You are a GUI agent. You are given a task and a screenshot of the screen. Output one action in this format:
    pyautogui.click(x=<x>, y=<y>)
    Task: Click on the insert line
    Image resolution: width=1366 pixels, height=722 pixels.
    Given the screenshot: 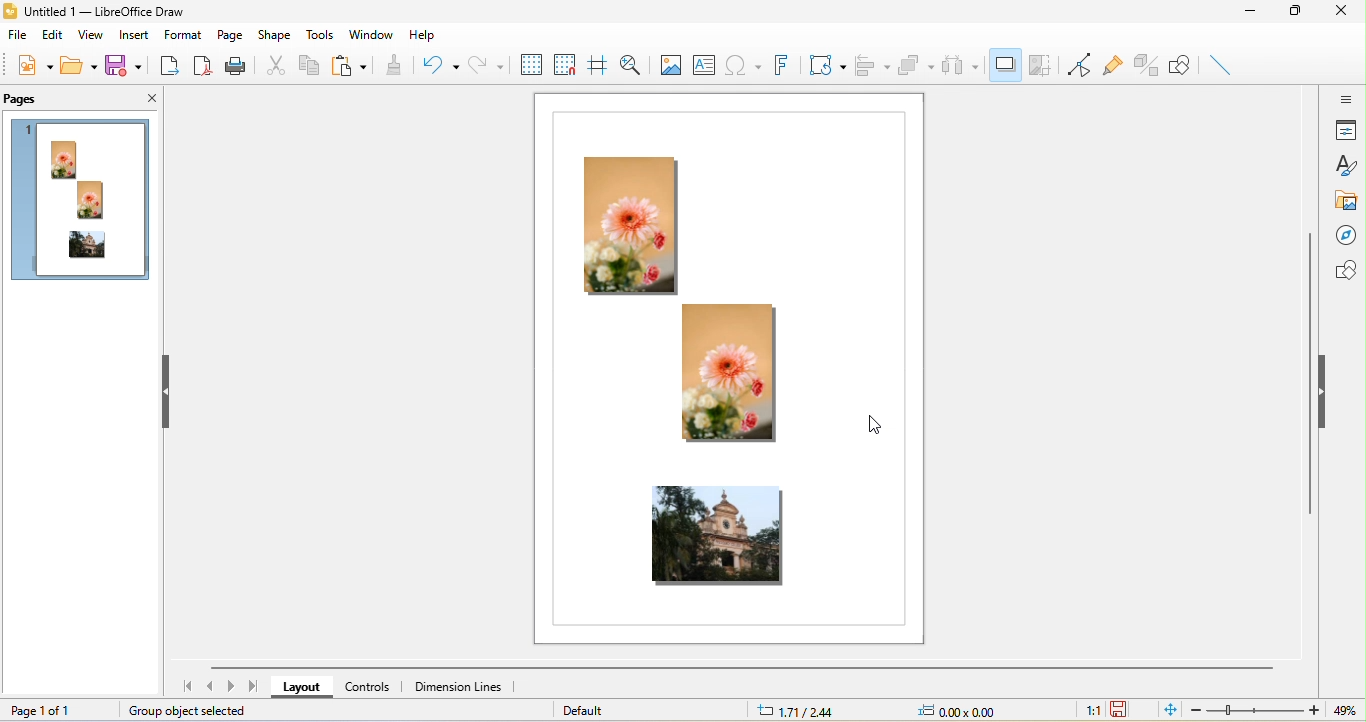 What is the action you would take?
    pyautogui.click(x=1222, y=63)
    